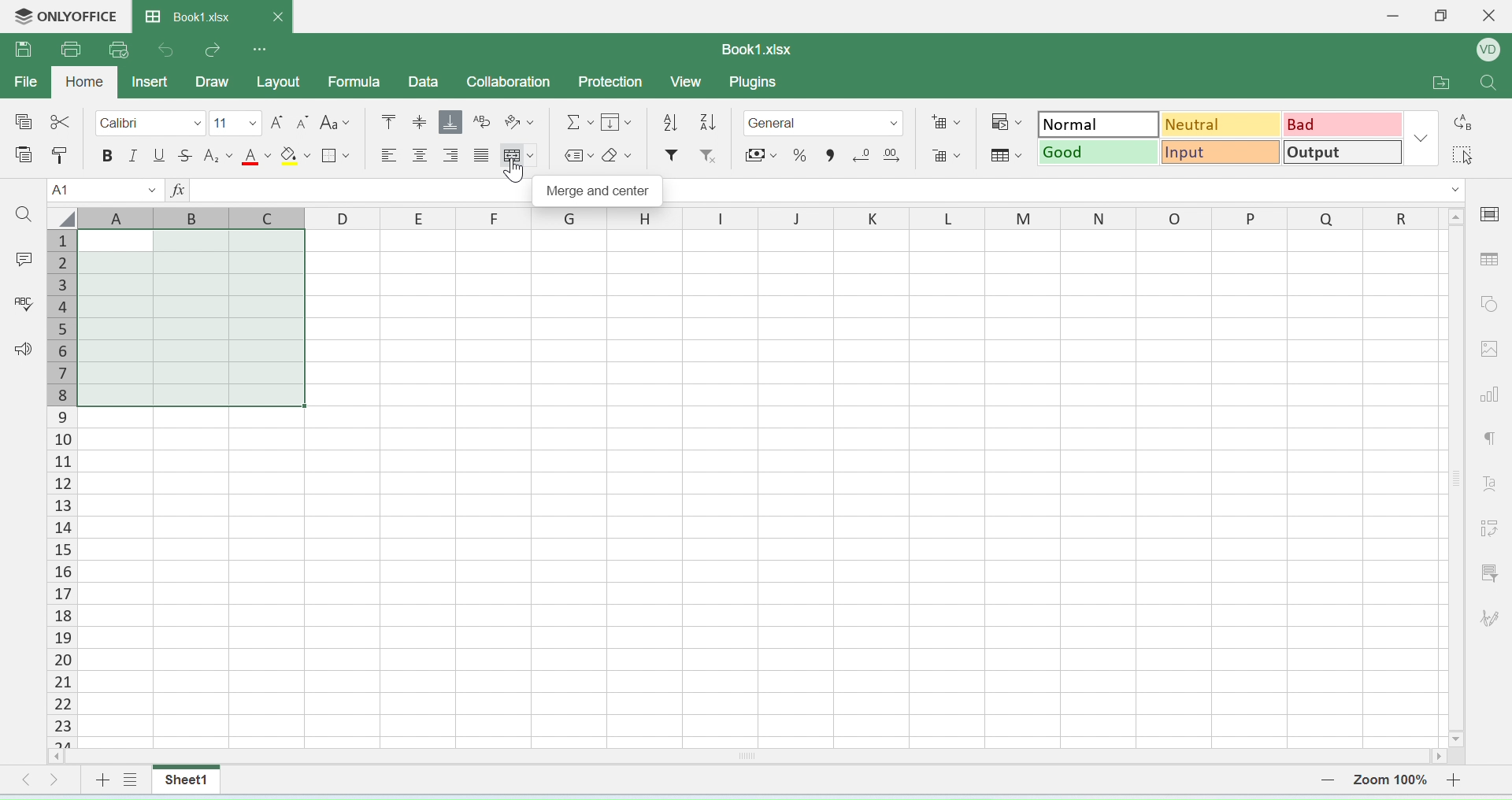  What do you see at coordinates (216, 14) in the screenshot?
I see `book1.xlsx` at bounding box center [216, 14].